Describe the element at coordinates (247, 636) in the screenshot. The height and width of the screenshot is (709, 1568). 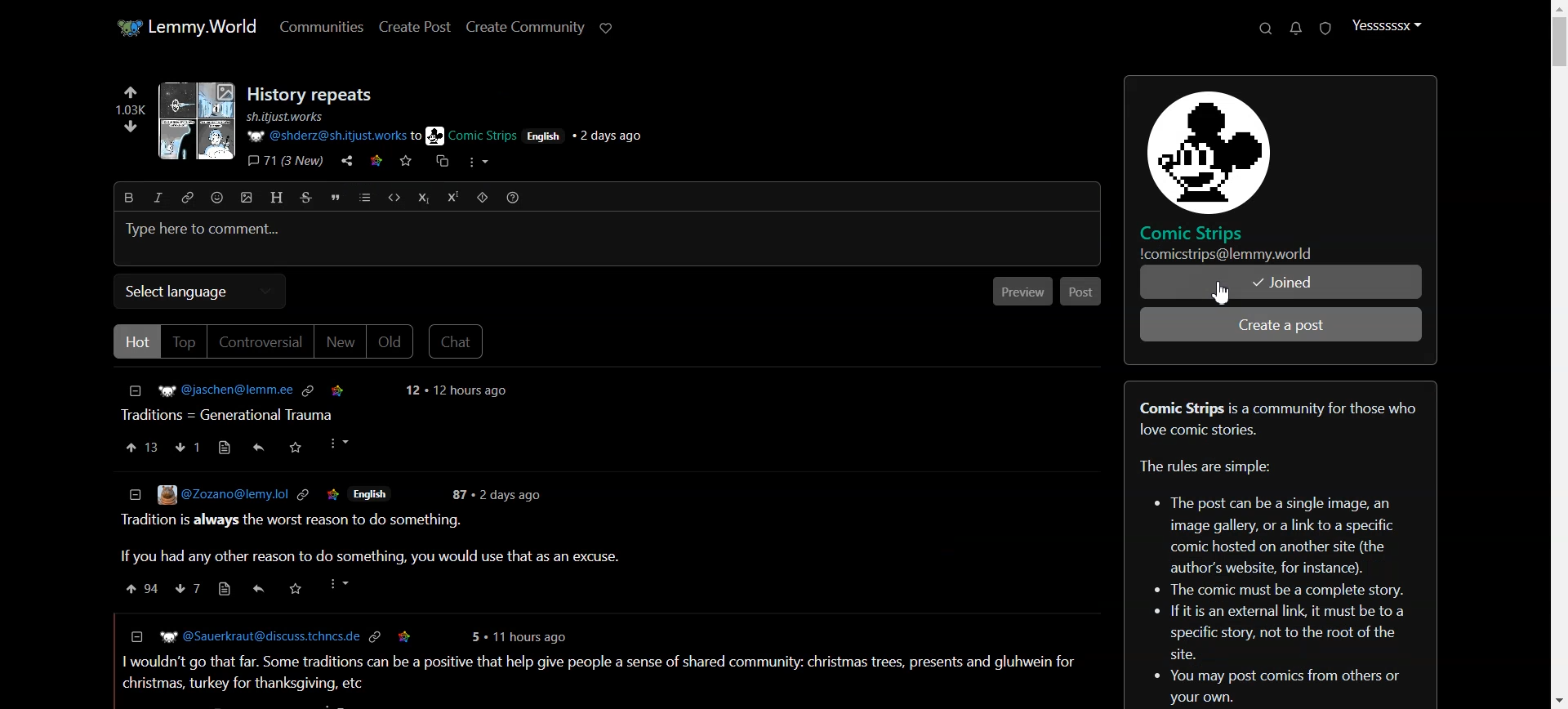
I see `@Sauerkraut@discuss.tchncs.de` at that location.